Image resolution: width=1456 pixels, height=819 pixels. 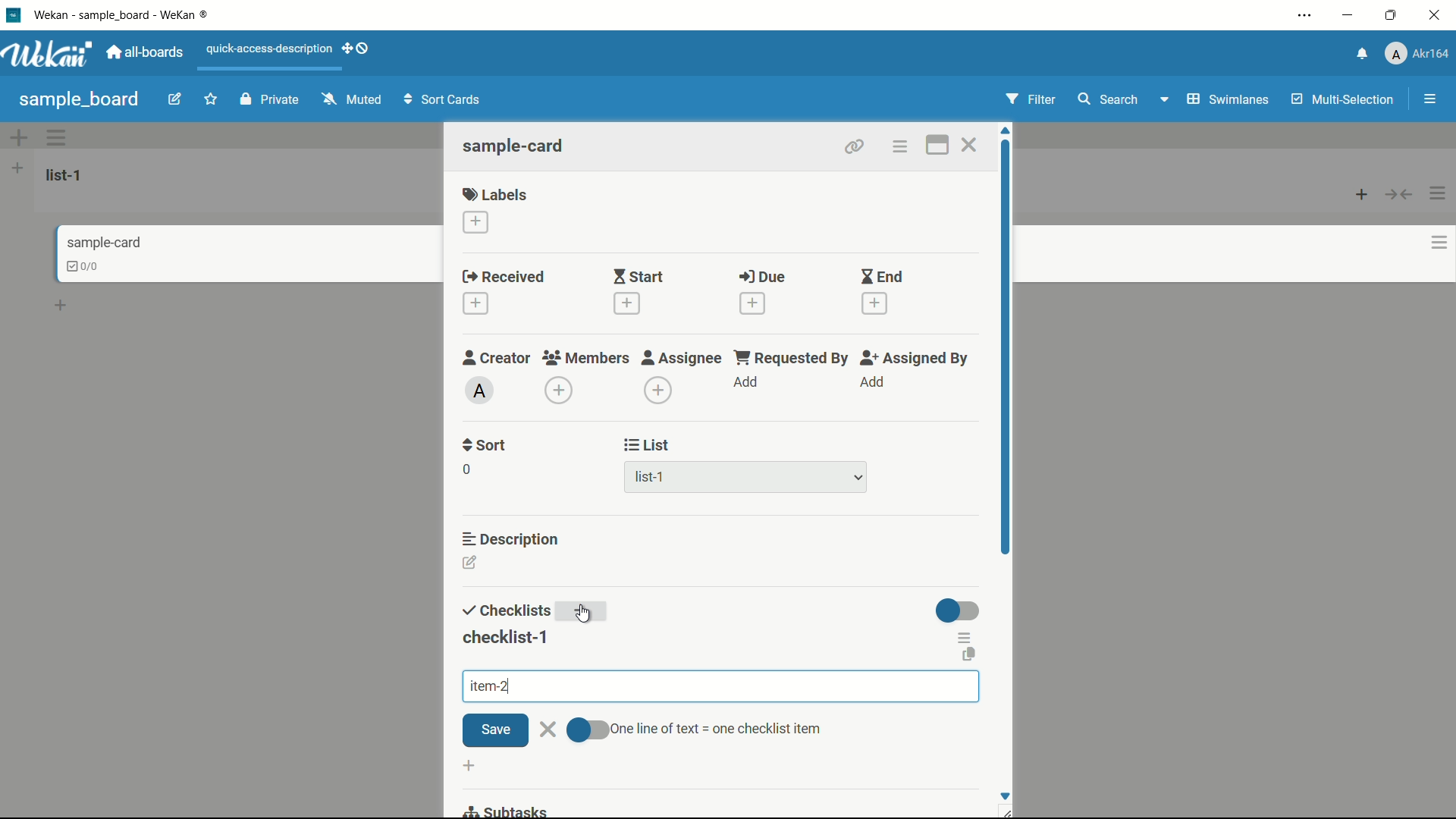 What do you see at coordinates (971, 656) in the screenshot?
I see `copy text to clipboard` at bounding box center [971, 656].